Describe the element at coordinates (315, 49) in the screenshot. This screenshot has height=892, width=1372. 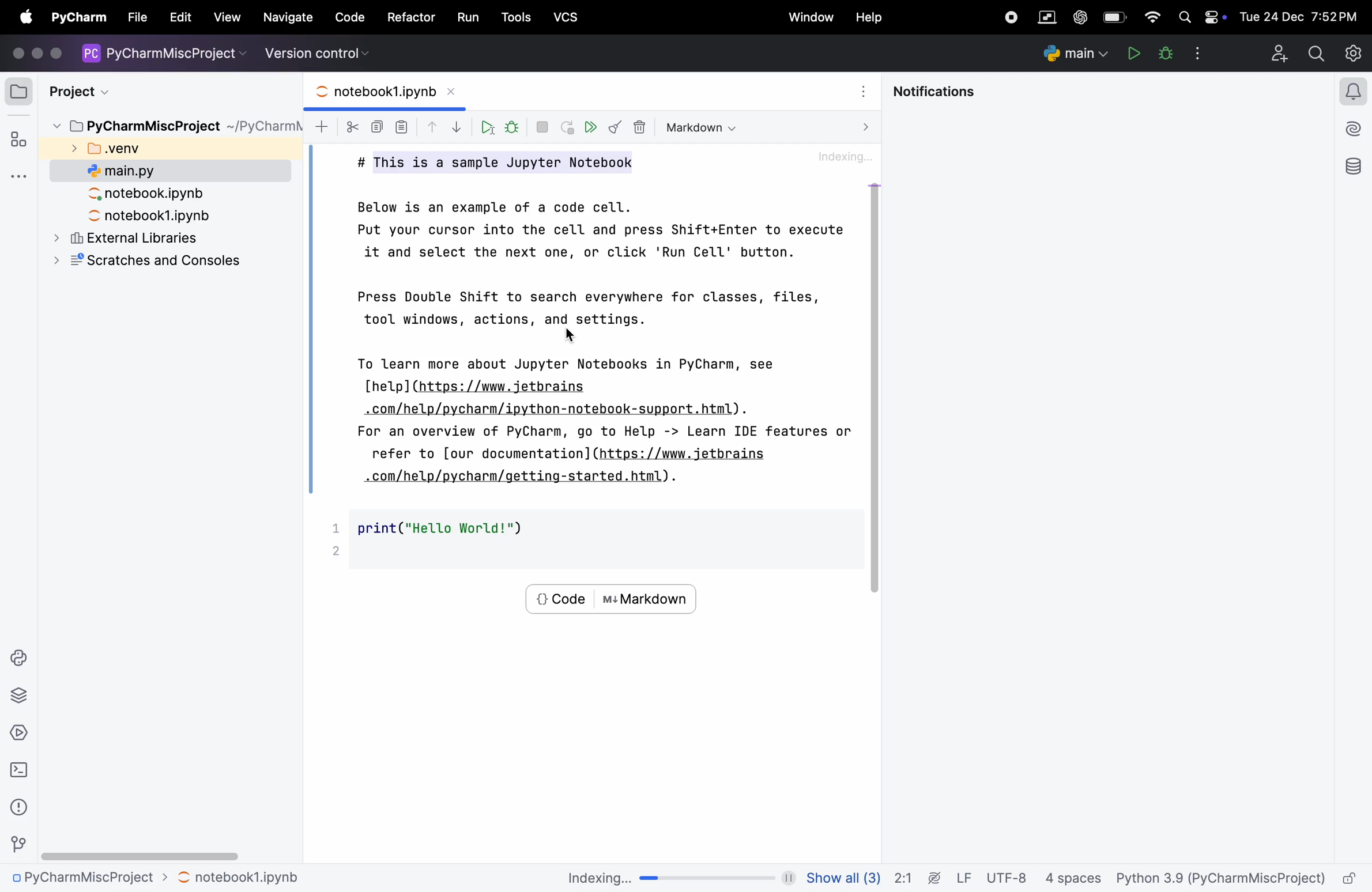
I see `version control` at that location.